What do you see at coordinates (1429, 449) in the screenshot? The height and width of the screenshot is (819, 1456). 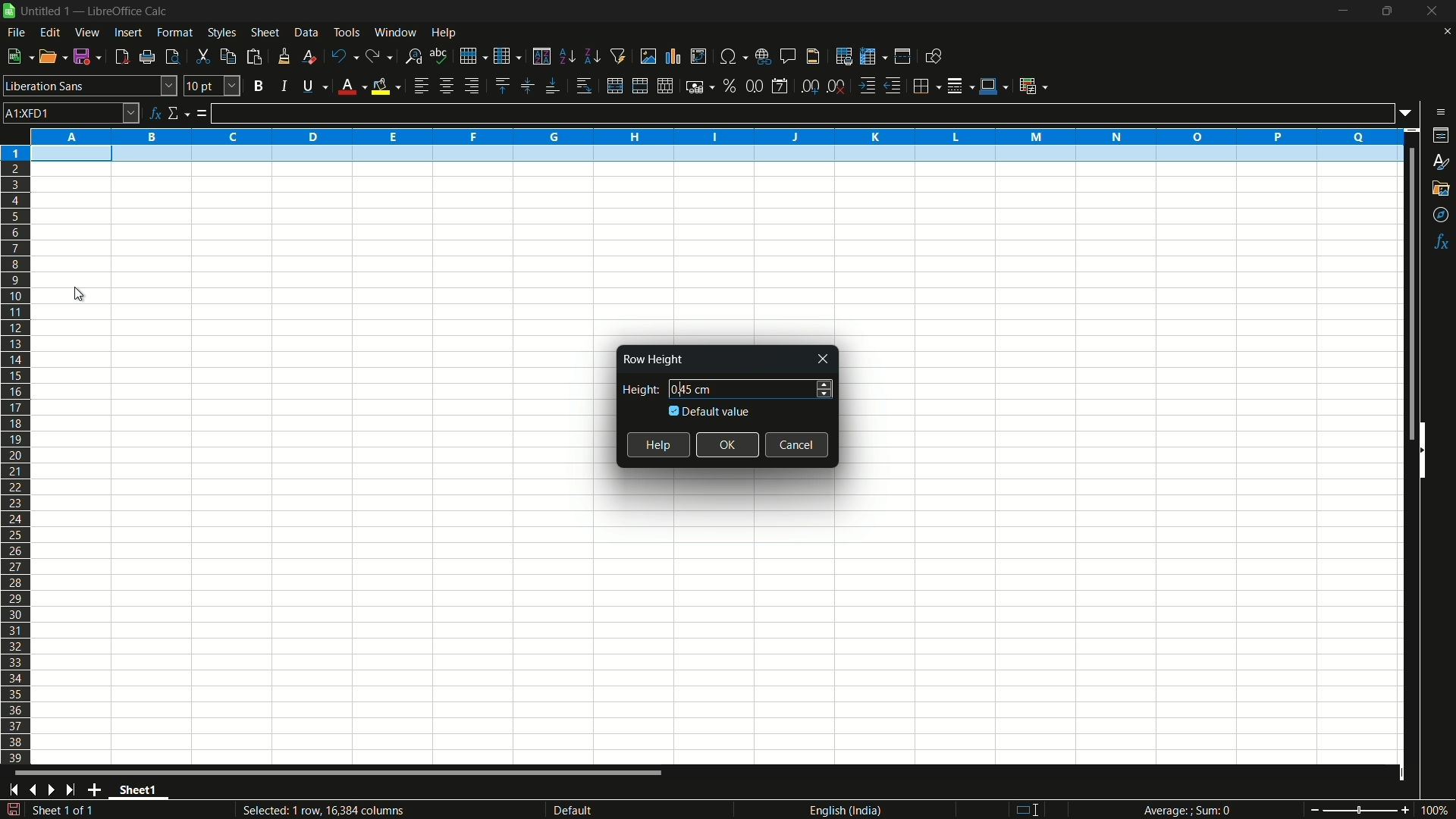 I see `hide sidebar` at bounding box center [1429, 449].